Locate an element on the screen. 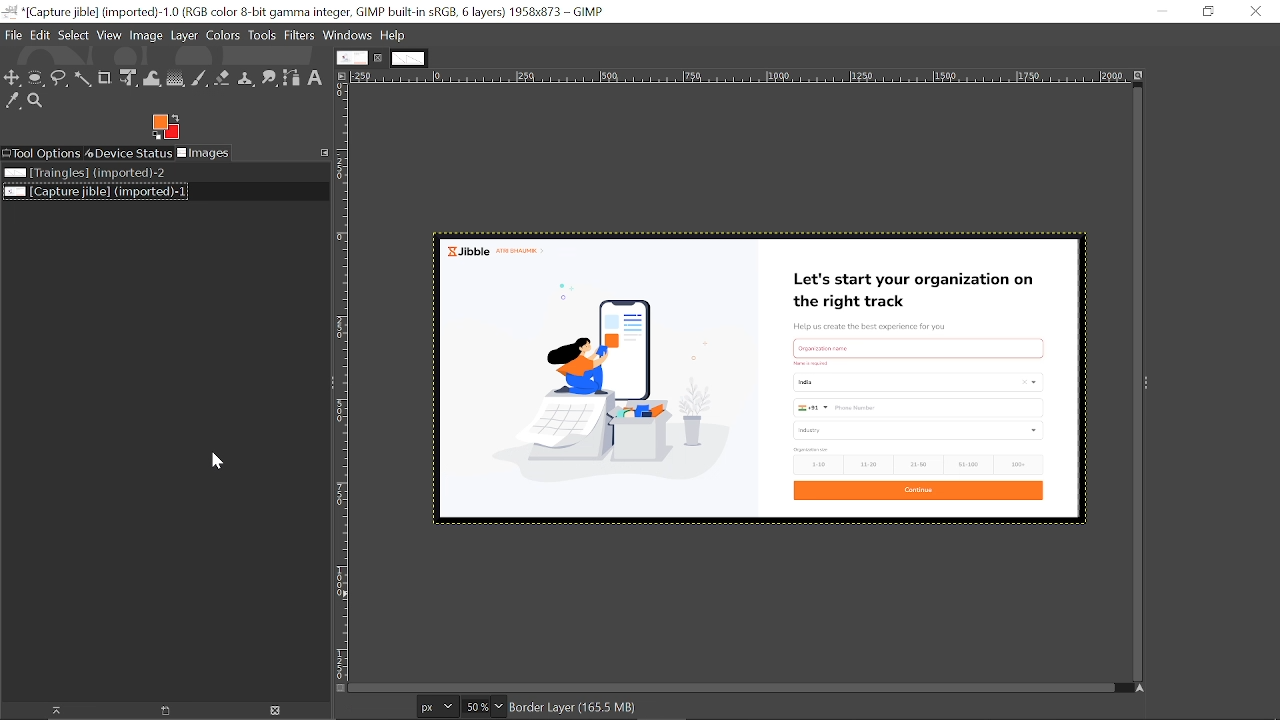  Access this image menu is located at coordinates (340, 76).